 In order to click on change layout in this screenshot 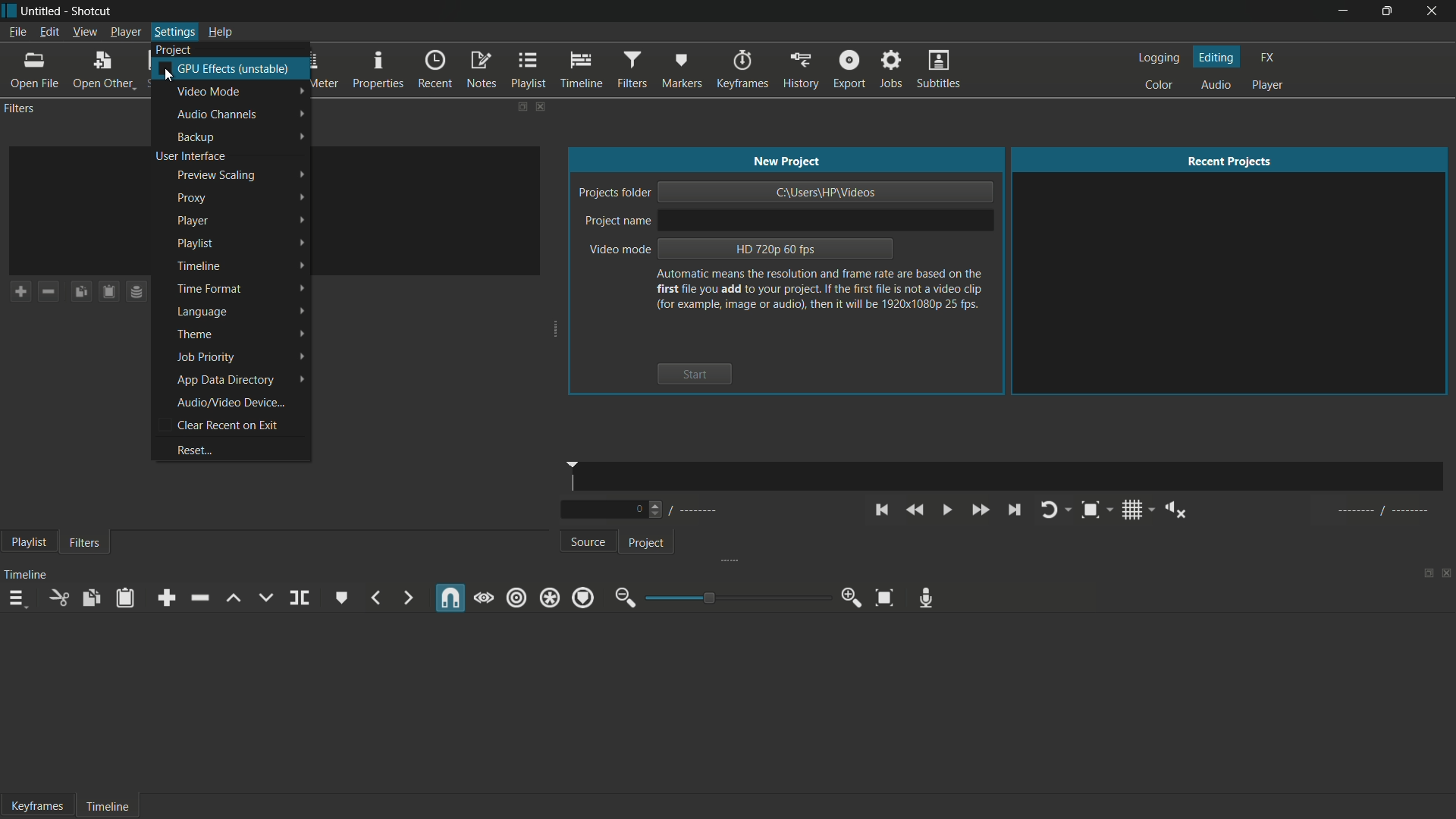, I will do `click(516, 105)`.